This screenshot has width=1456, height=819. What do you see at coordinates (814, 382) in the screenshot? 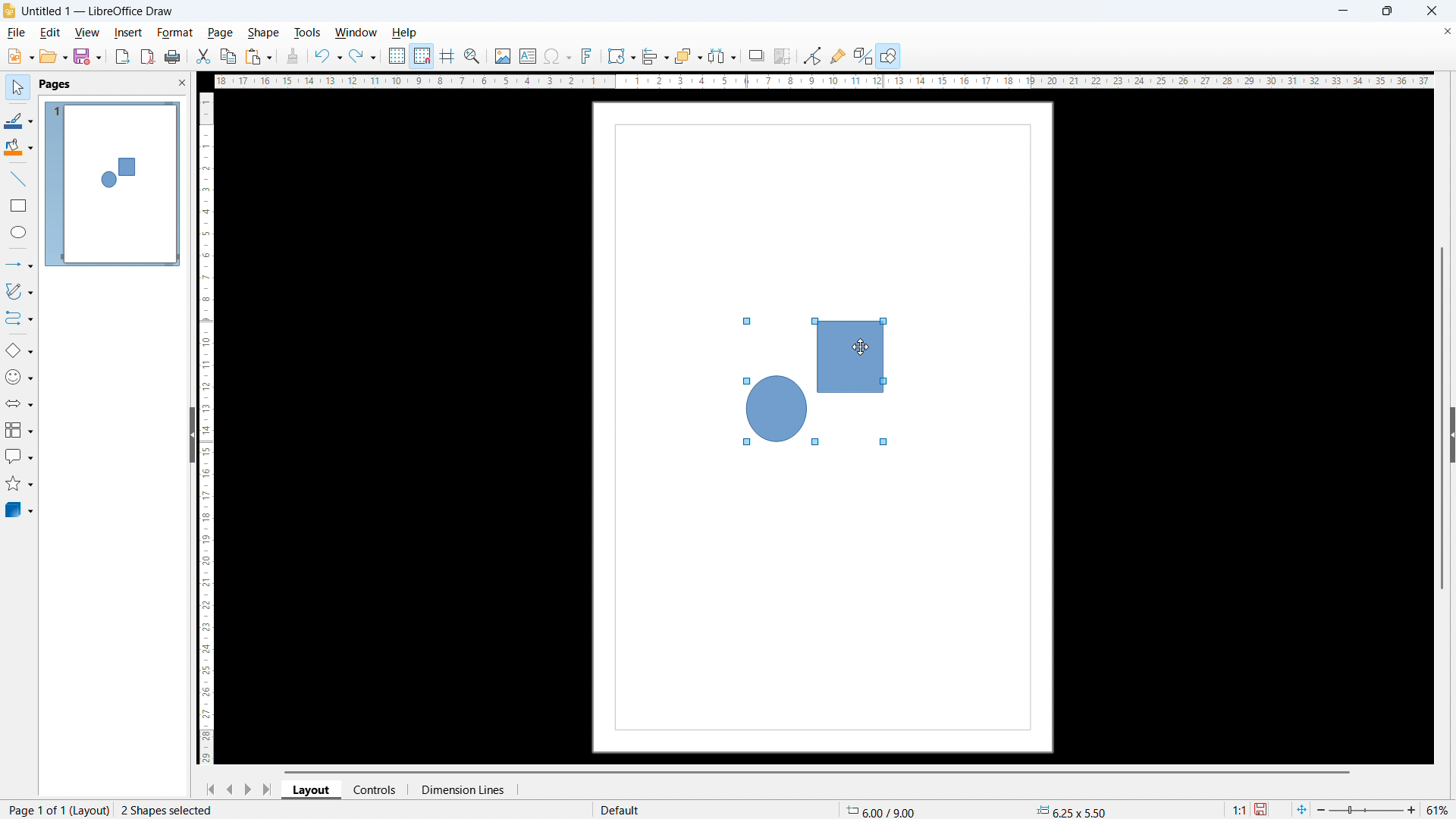
I see `shapes selected` at bounding box center [814, 382].